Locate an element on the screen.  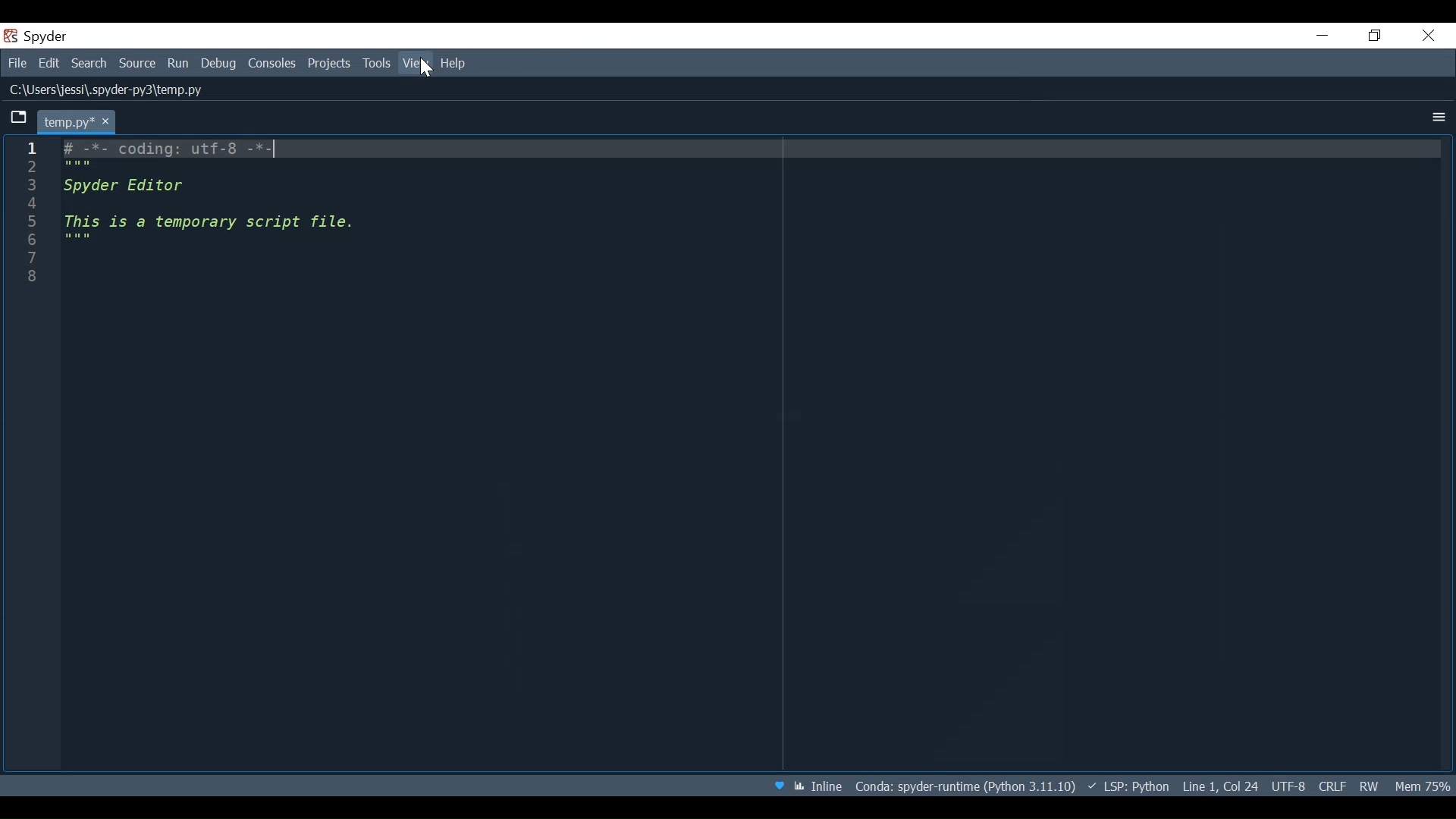
Memory Usage is located at coordinates (1425, 786).